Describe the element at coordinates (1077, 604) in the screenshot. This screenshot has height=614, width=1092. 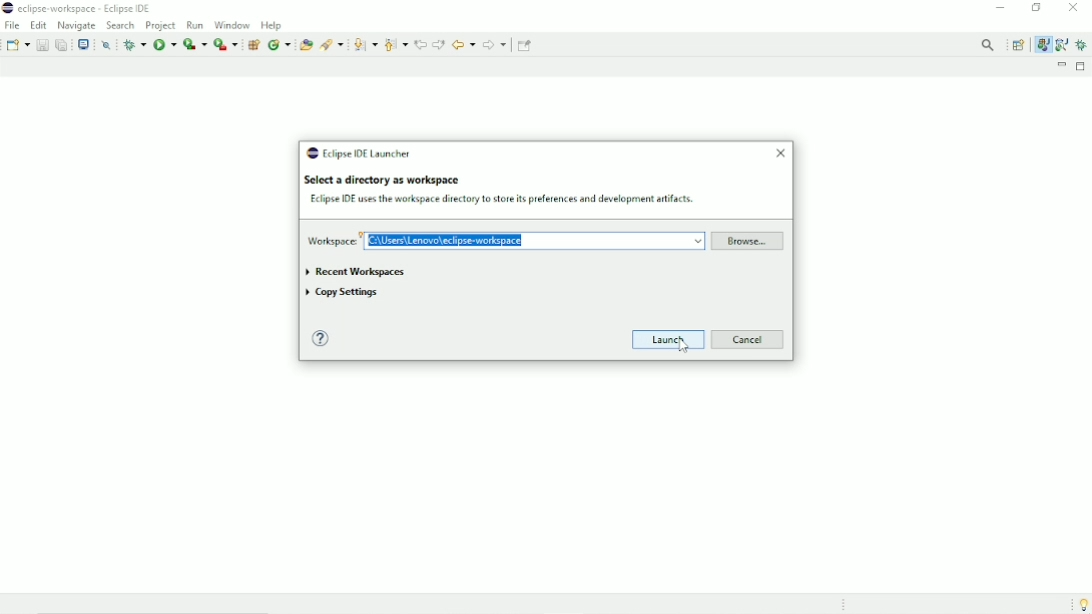
I see `Tip` at that location.